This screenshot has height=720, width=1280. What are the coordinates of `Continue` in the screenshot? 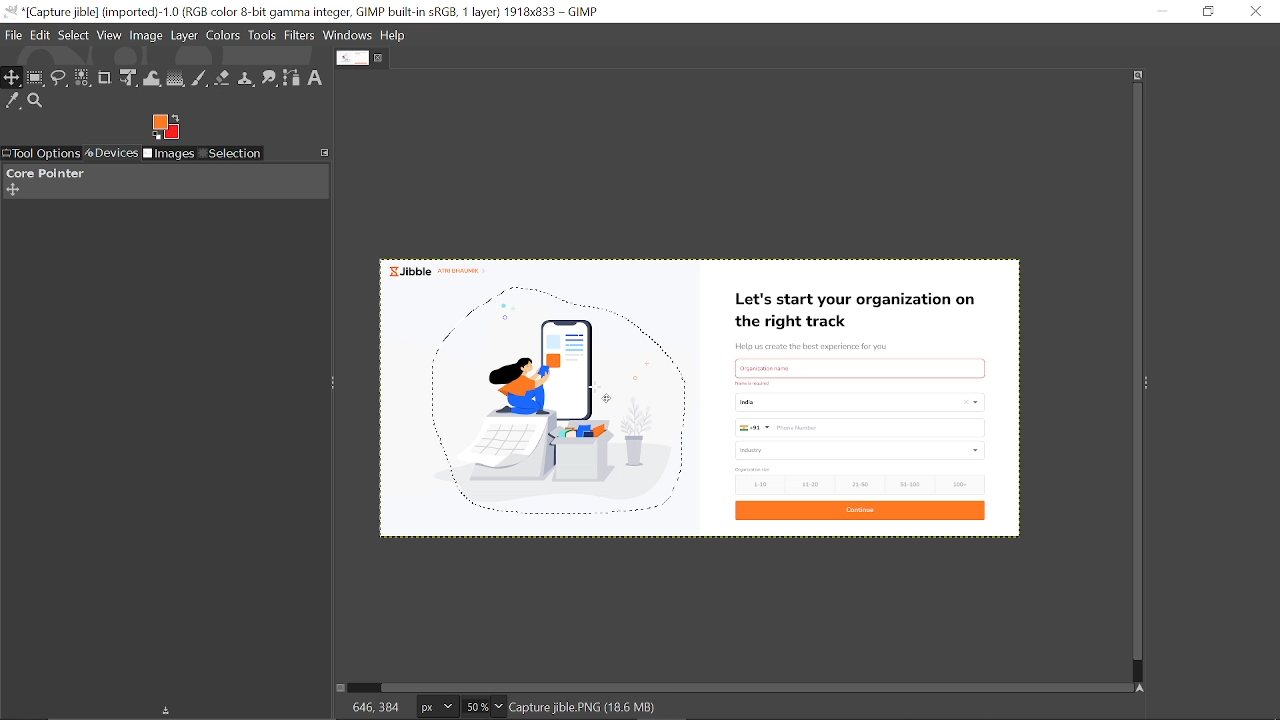 It's located at (858, 512).